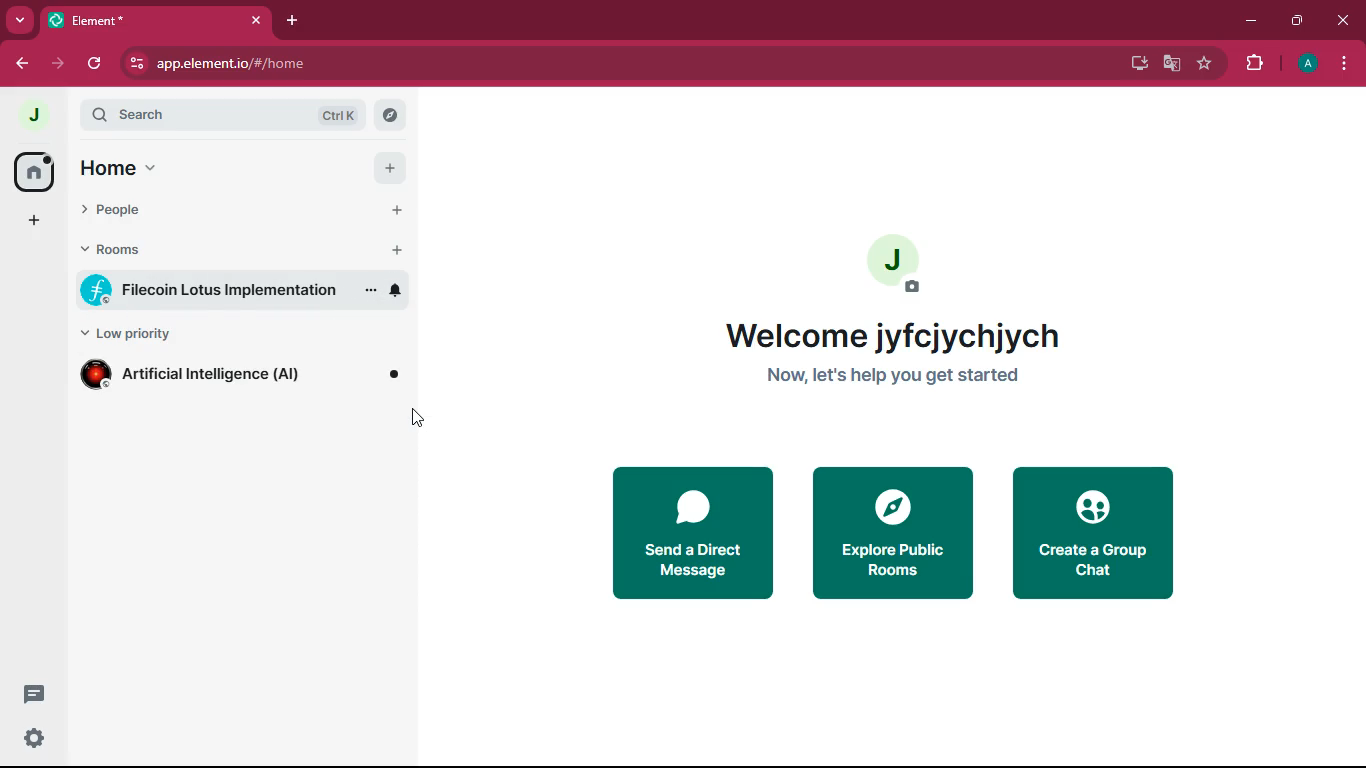 Image resolution: width=1366 pixels, height=768 pixels. Describe the element at coordinates (231, 64) in the screenshot. I see `url` at that location.